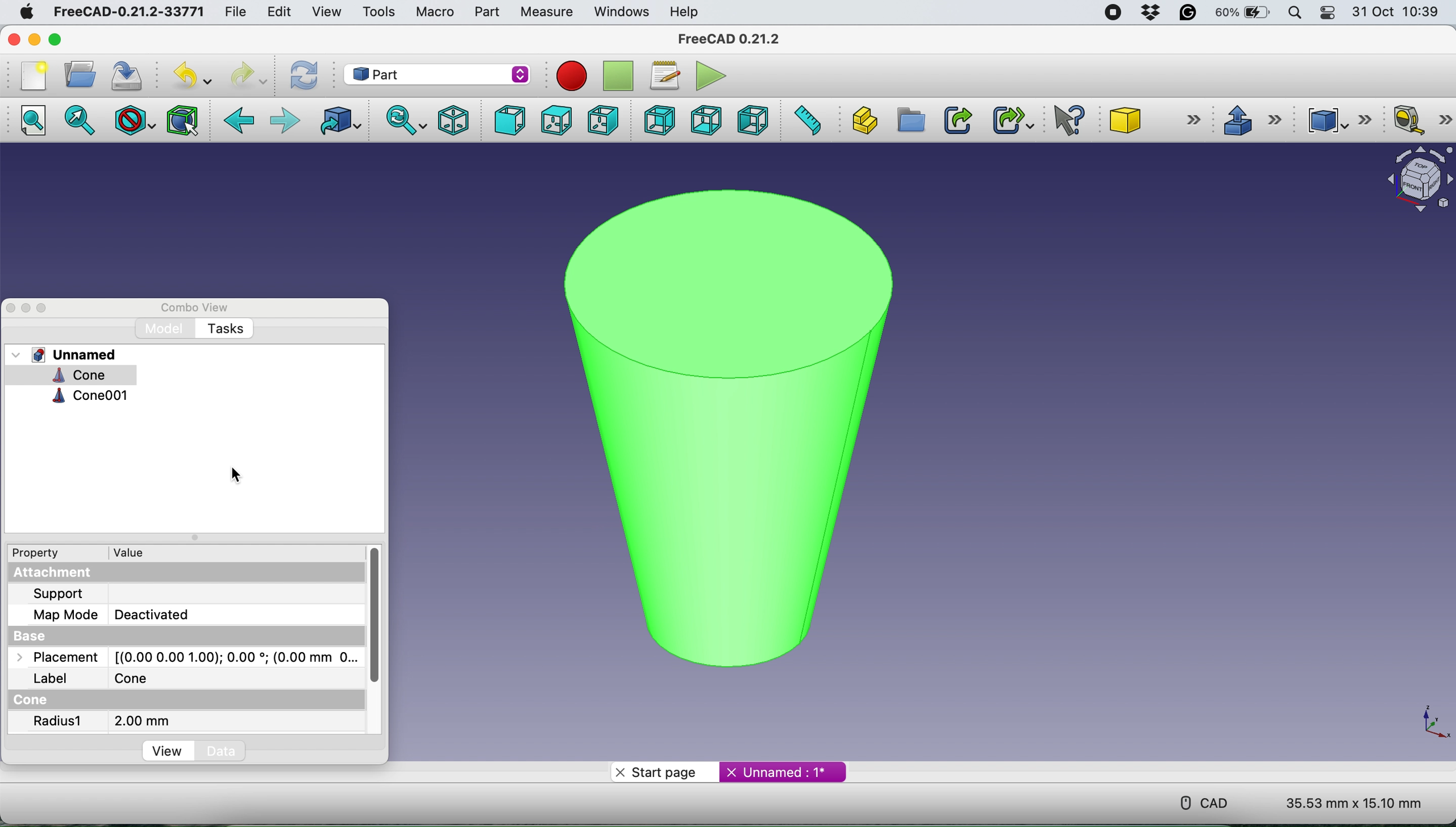 This screenshot has height=827, width=1456. I want to click on property, so click(44, 554).